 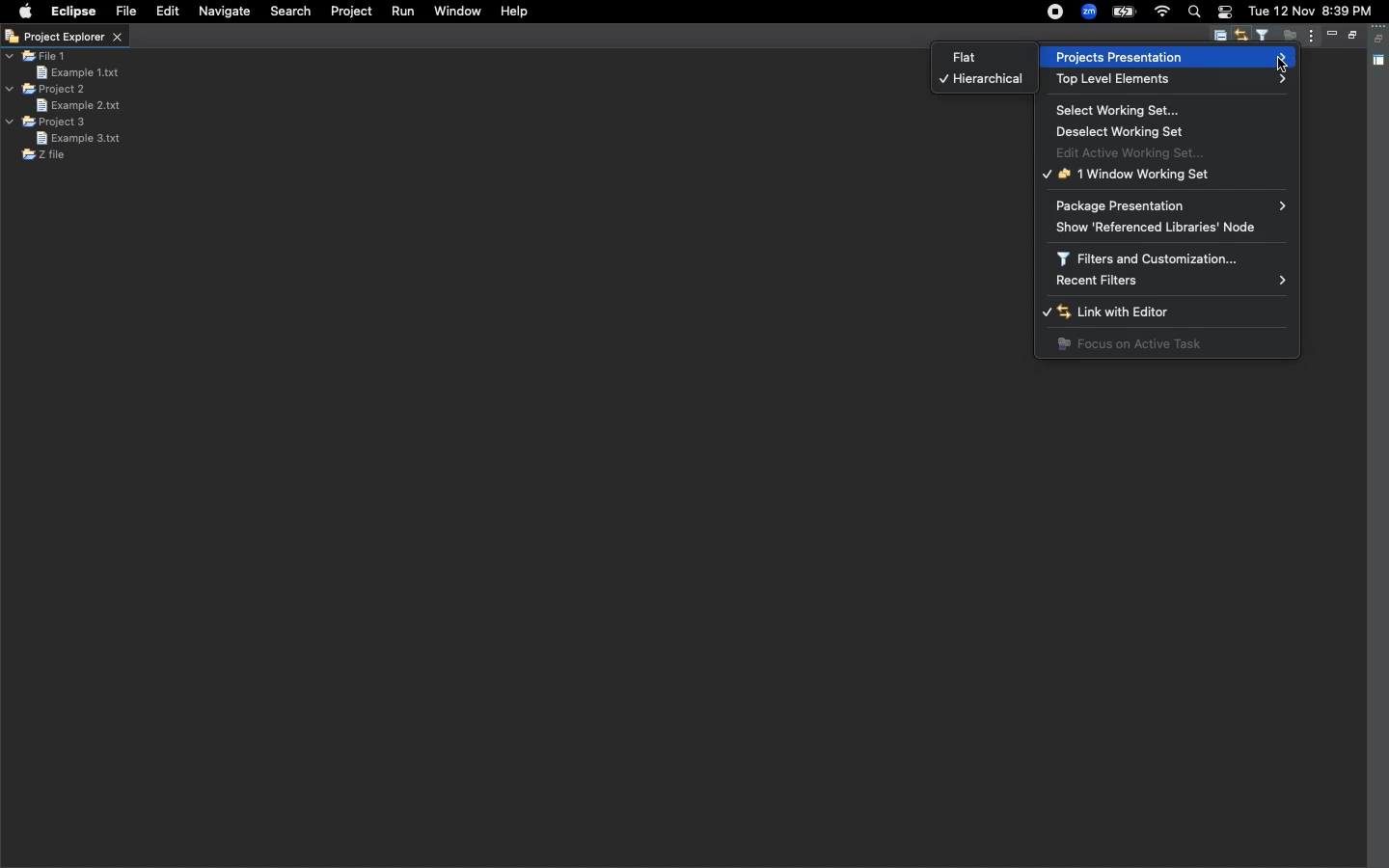 I want to click on Packaging presentation, so click(x=1171, y=204).